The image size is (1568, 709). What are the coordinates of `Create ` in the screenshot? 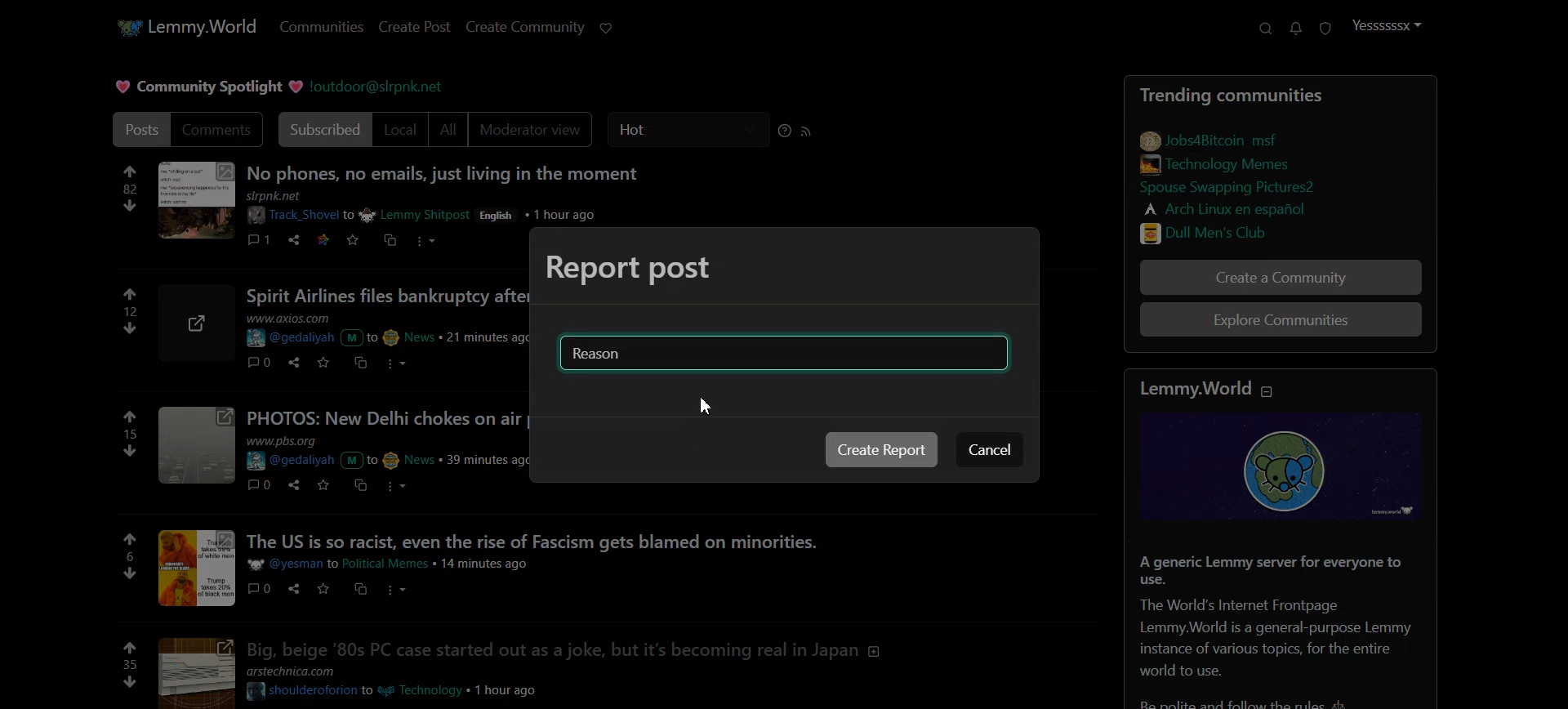 It's located at (882, 449).